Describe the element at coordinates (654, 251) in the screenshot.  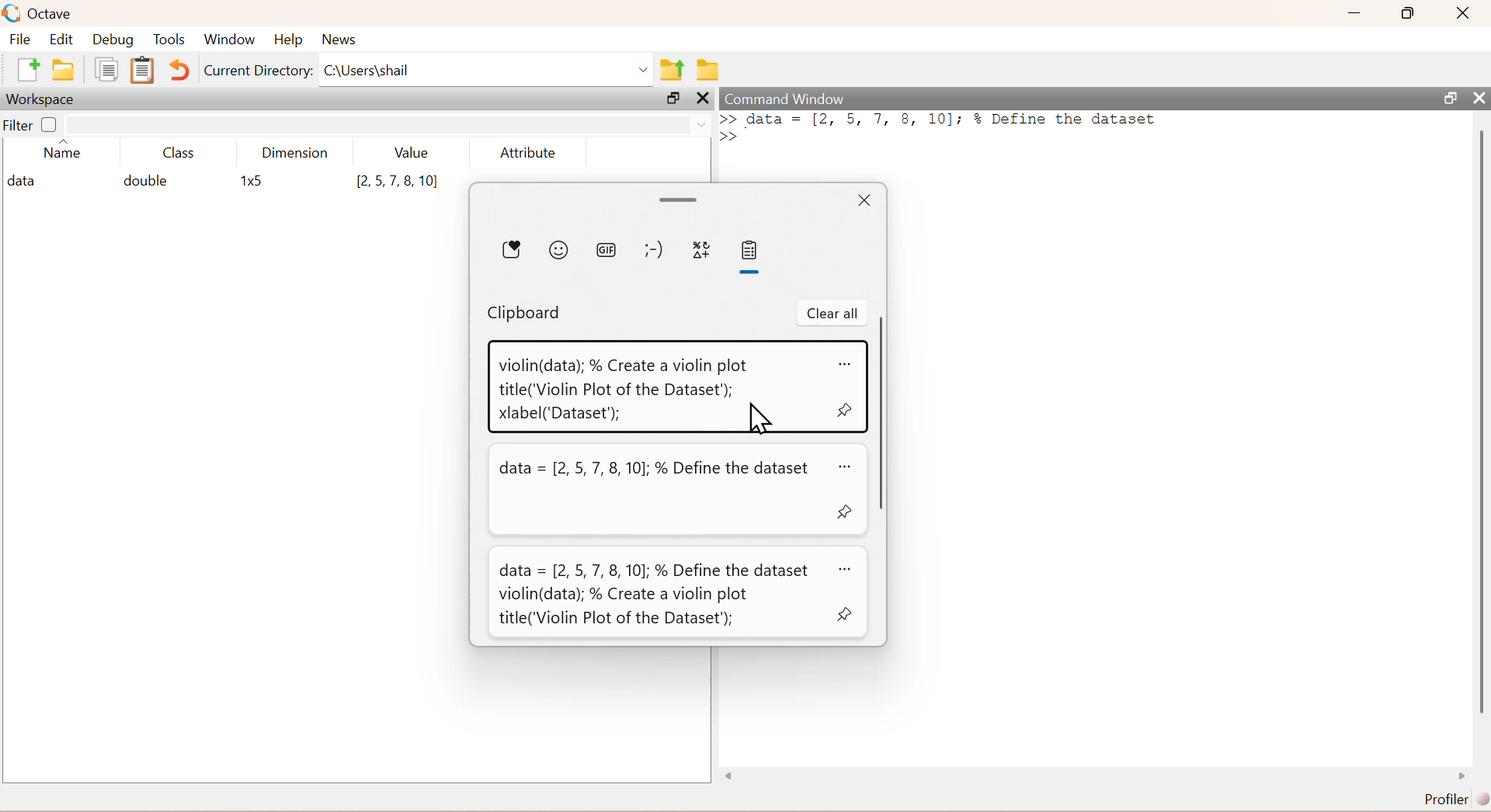
I see `Emotes` at that location.